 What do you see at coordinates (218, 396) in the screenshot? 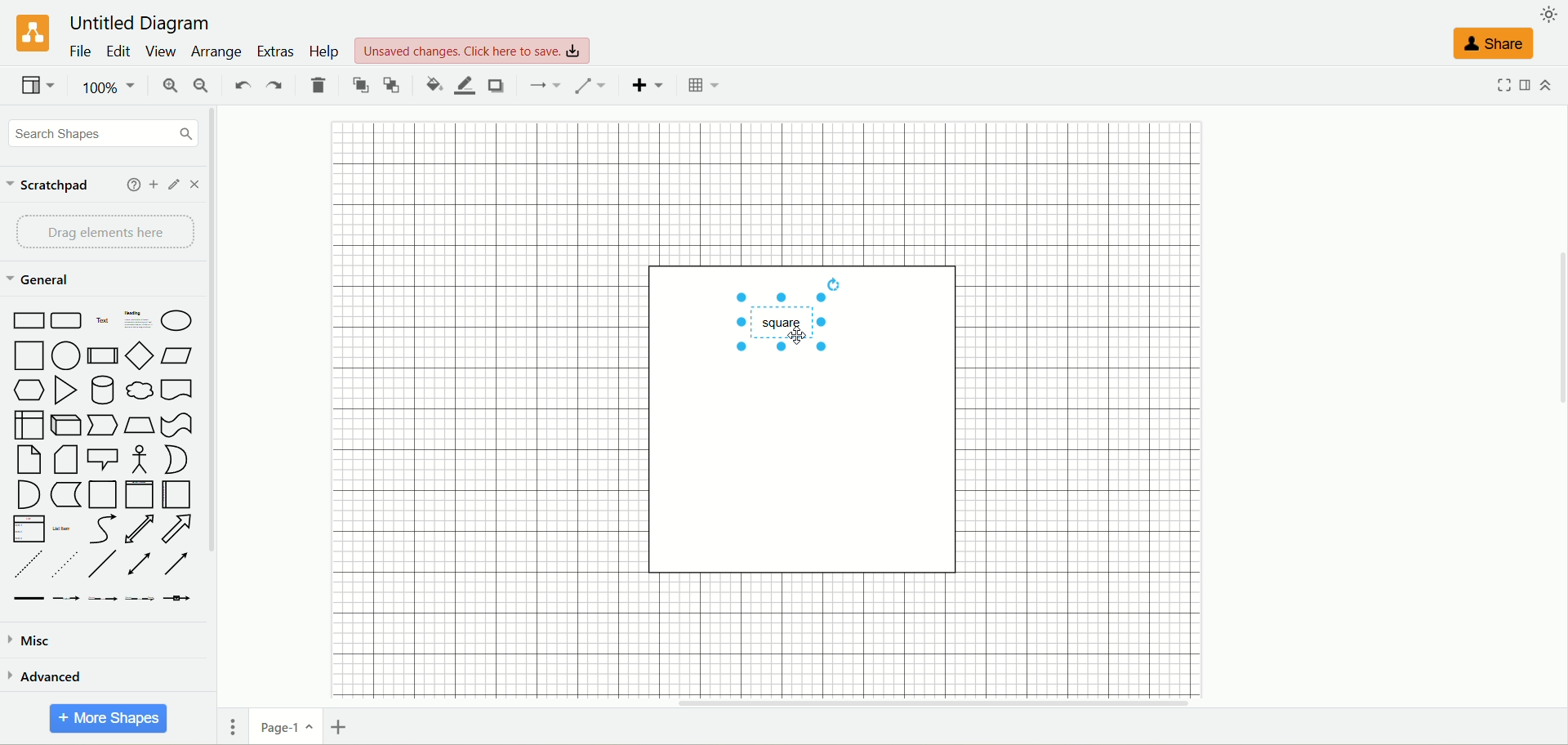
I see `vertical scroll bar` at bounding box center [218, 396].